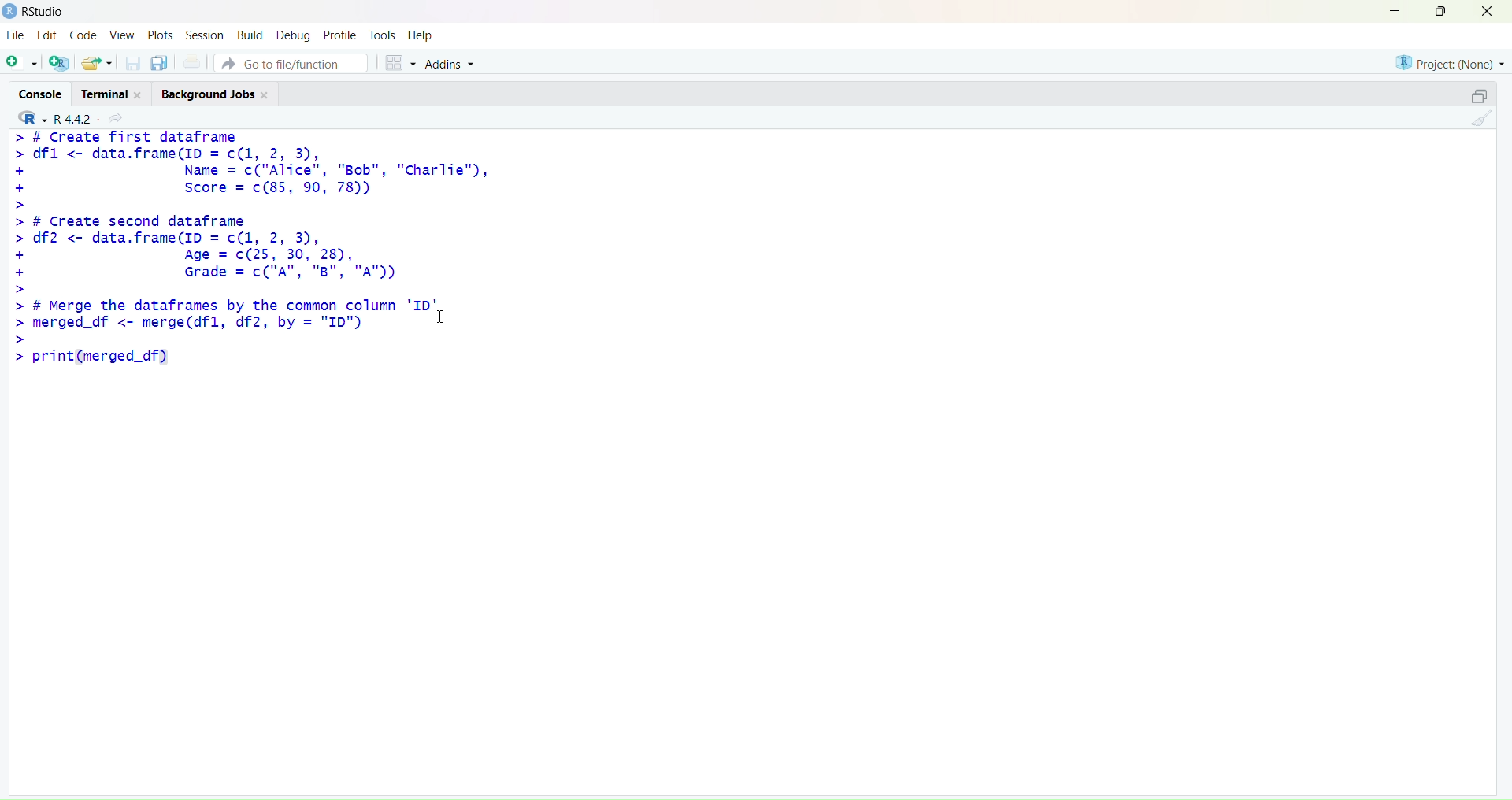  What do you see at coordinates (251, 213) in the screenshot?
I see `# Create Tirst dataframe
dfl <- data.frame(ID = c(1, 2, 3),
Name = c("Alice", "Bob", "Char
Score = c(85, 90, 78))
# Create second dataframe
df2 <- data.frame(ID = c(1, 2, 3),
Age = c(25, 30, 28),
Grade = c("A", "B", "A"))` at bounding box center [251, 213].